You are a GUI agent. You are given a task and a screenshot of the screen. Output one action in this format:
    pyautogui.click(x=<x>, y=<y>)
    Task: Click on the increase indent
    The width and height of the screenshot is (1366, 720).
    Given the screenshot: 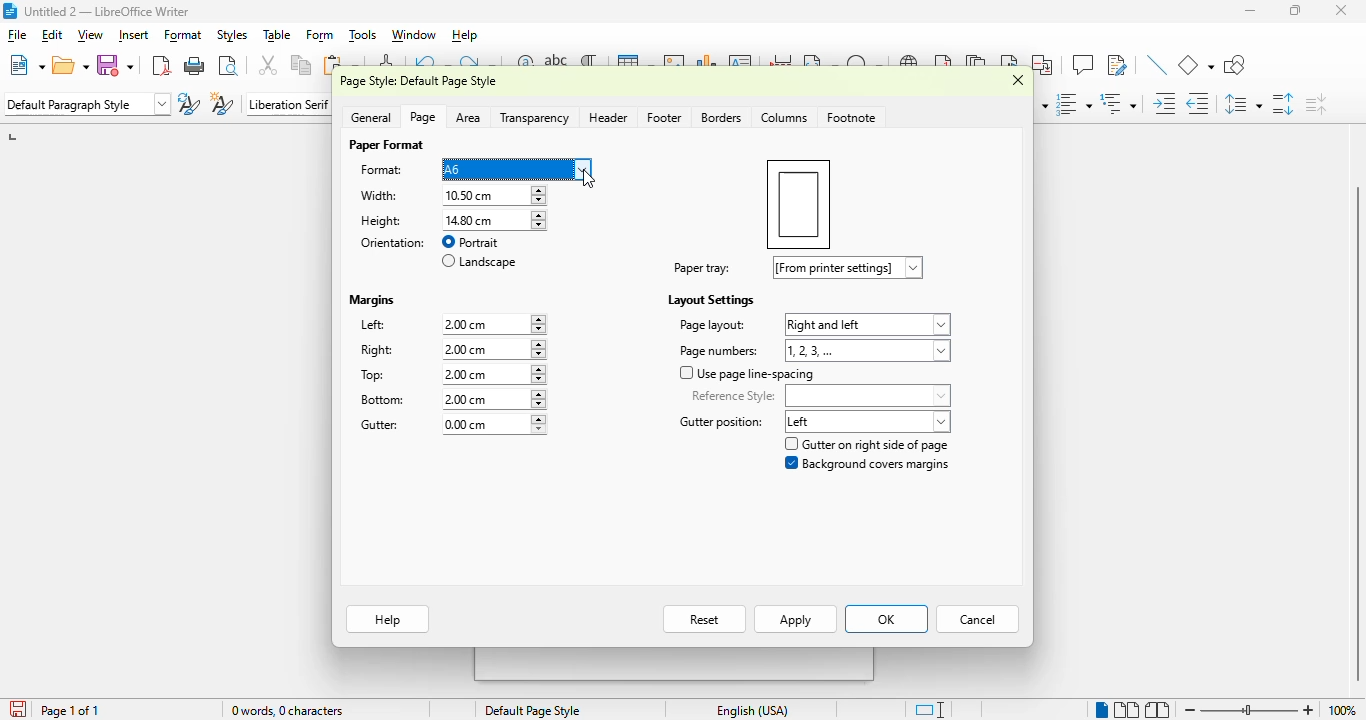 What is the action you would take?
    pyautogui.click(x=1165, y=104)
    